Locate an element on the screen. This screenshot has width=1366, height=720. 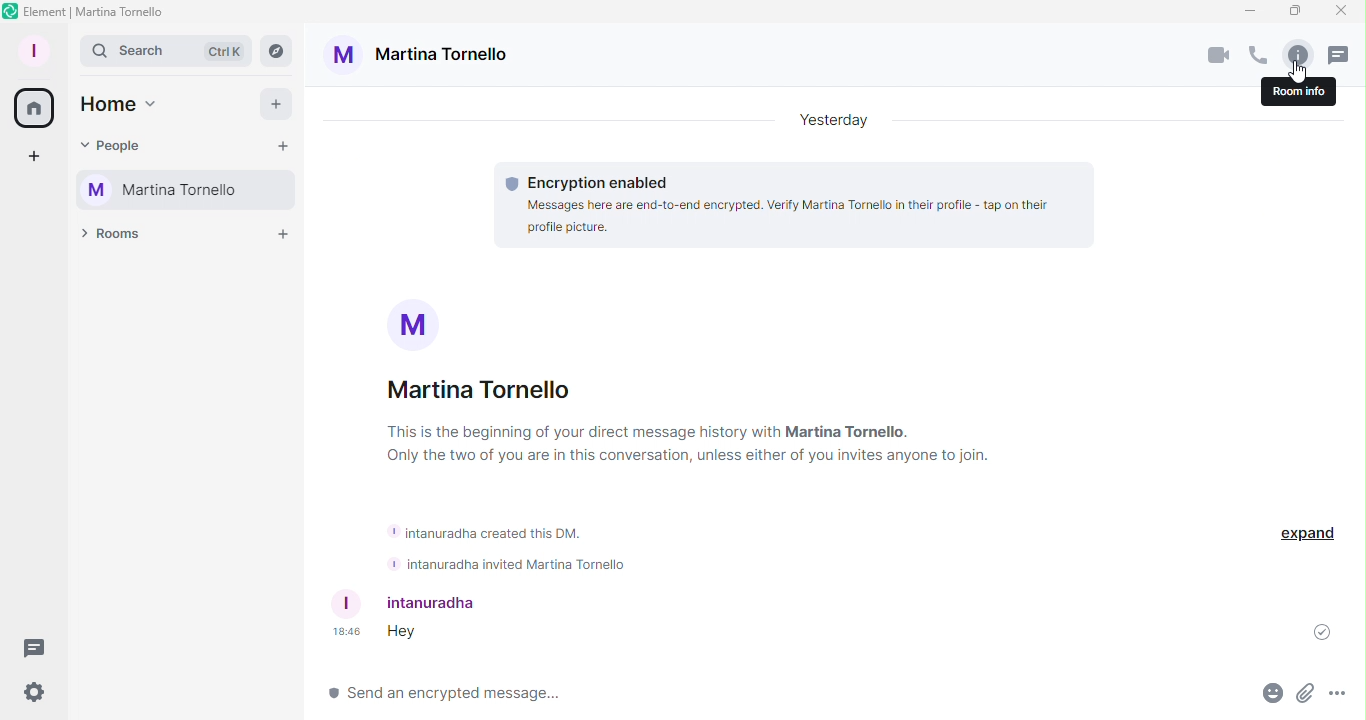
Attachment is located at coordinates (1306, 696).